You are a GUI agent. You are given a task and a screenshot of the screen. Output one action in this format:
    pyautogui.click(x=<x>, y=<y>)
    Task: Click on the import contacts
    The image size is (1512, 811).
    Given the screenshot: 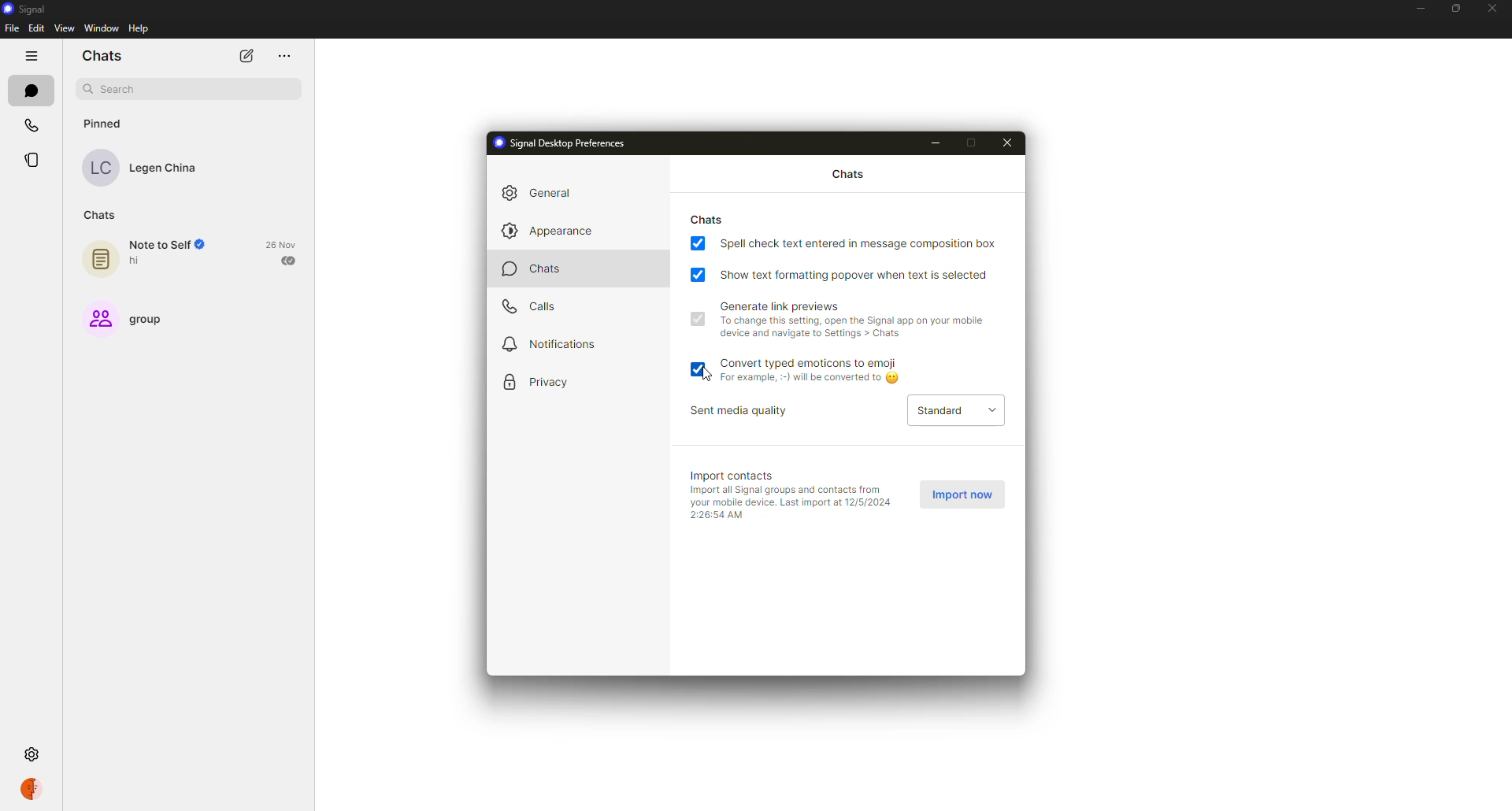 What is the action you would take?
    pyautogui.click(x=735, y=476)
    